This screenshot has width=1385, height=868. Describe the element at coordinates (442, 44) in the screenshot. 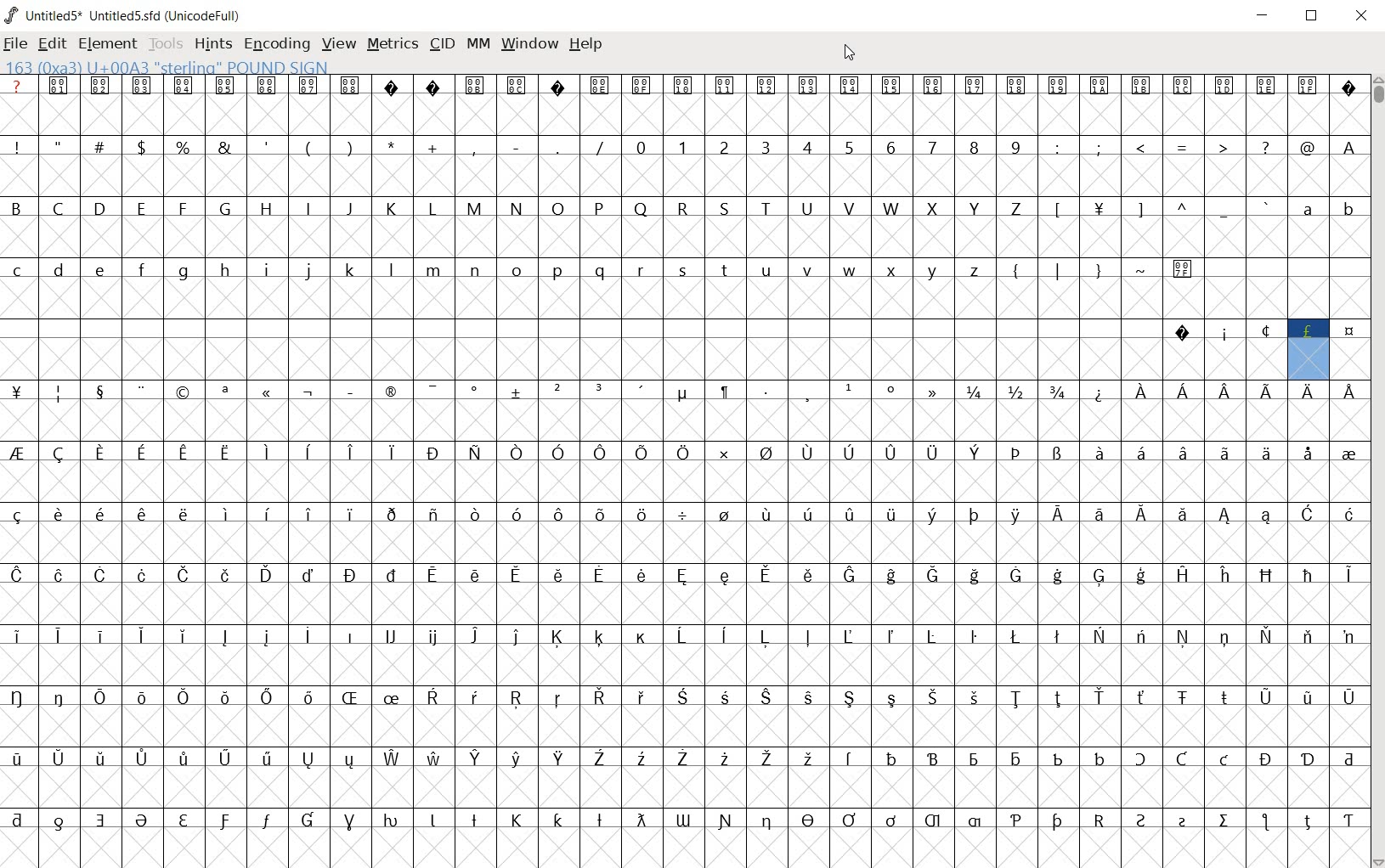

I see `CID` at that location.